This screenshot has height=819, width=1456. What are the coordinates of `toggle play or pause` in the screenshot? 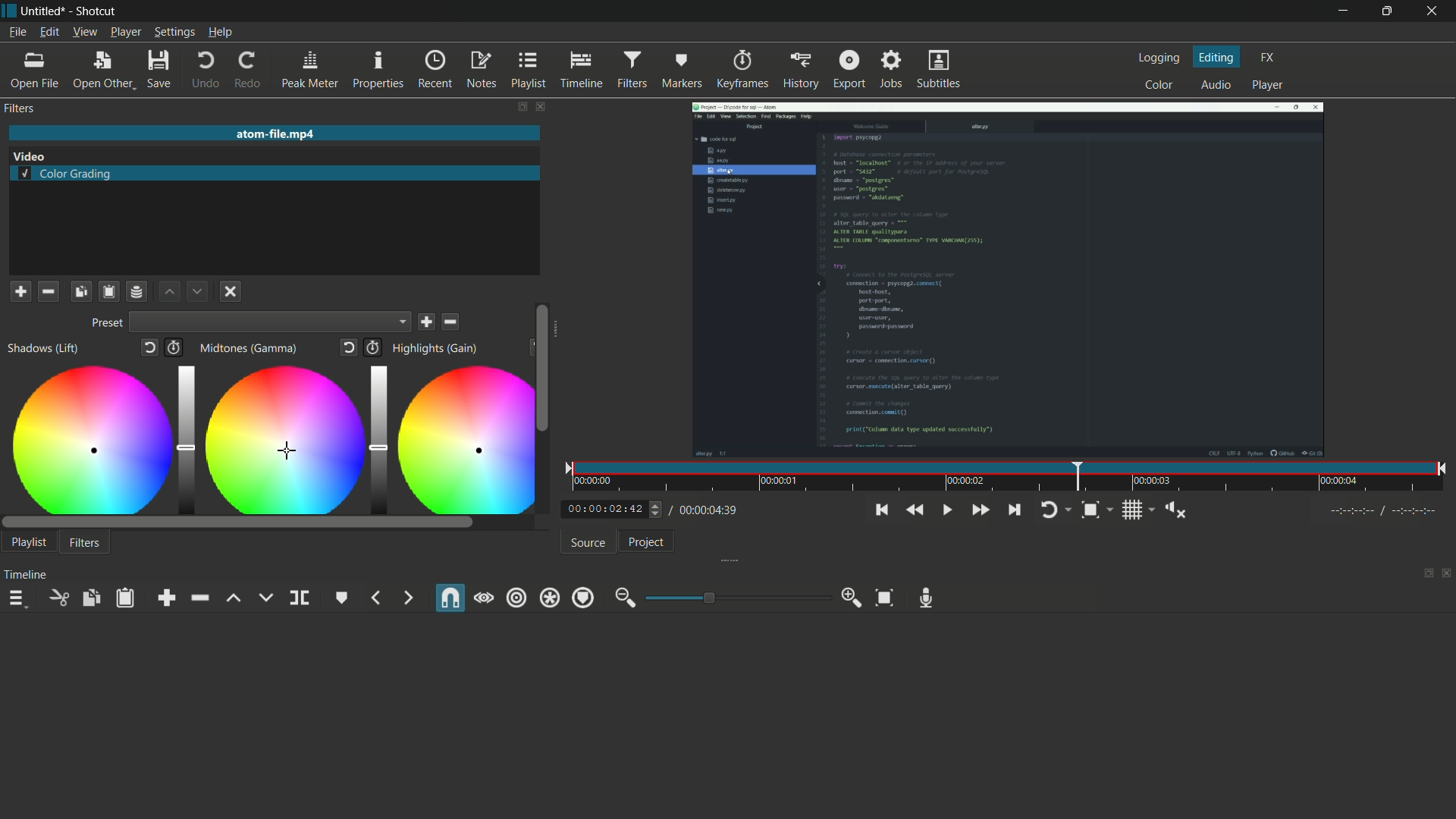 It's located at (948, 510).